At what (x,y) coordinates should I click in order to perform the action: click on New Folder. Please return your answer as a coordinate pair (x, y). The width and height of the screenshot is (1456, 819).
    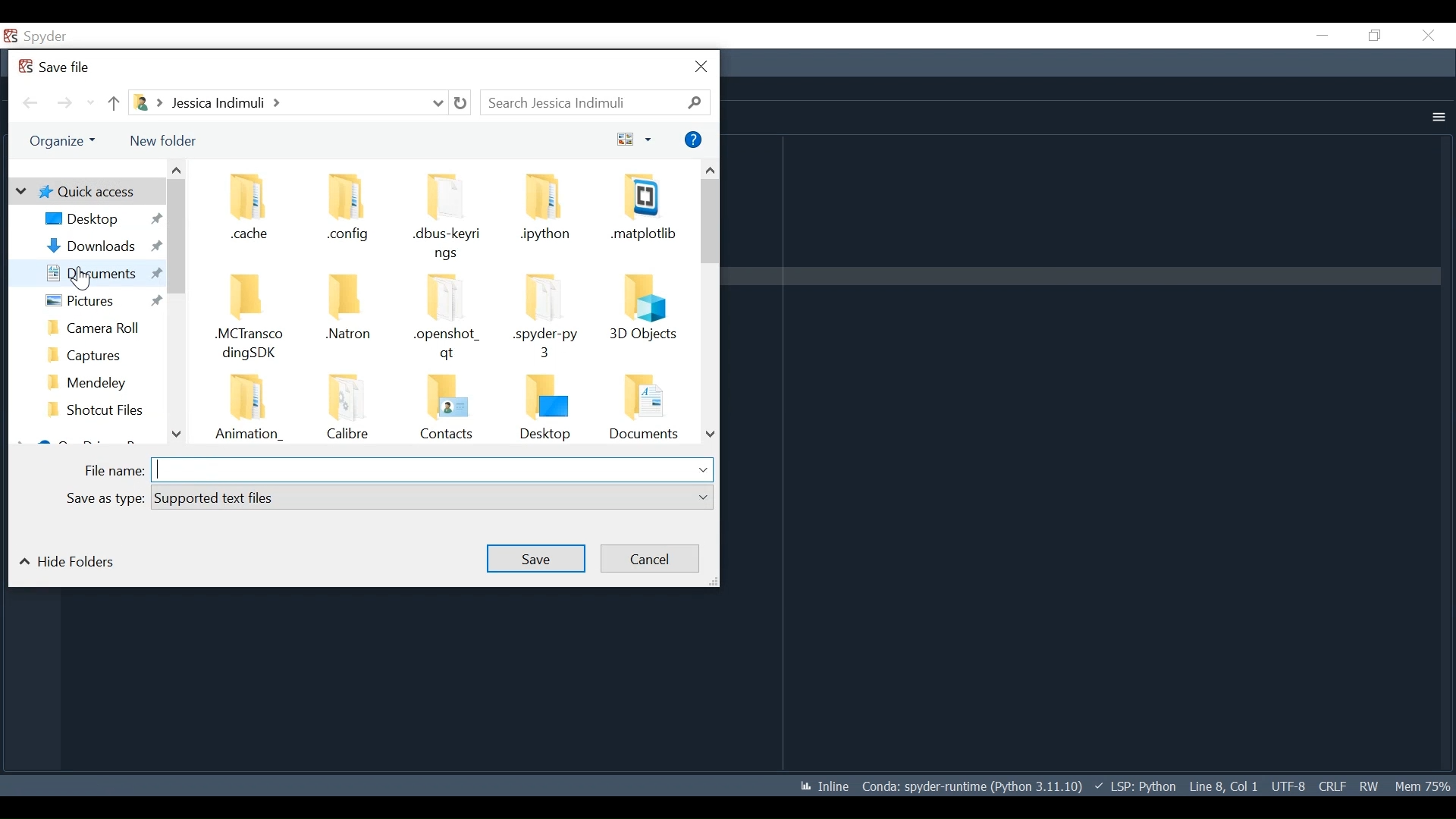
    Looking at the image, I should click on (167, 140).